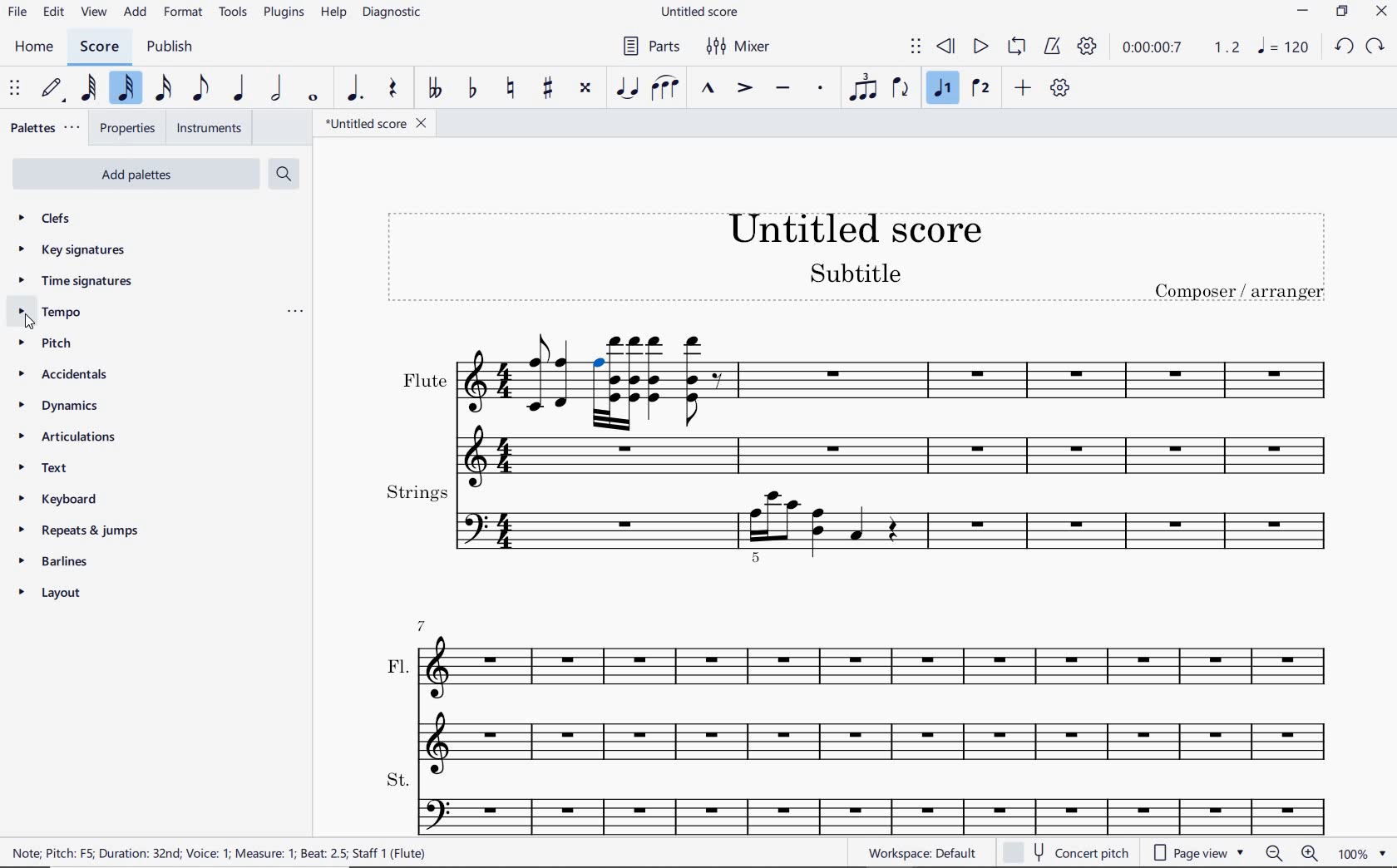 Image resolution: width=1397 pixels, height=868 pixels. I want to click on FLIP DIRECTION, so click(902, 90).